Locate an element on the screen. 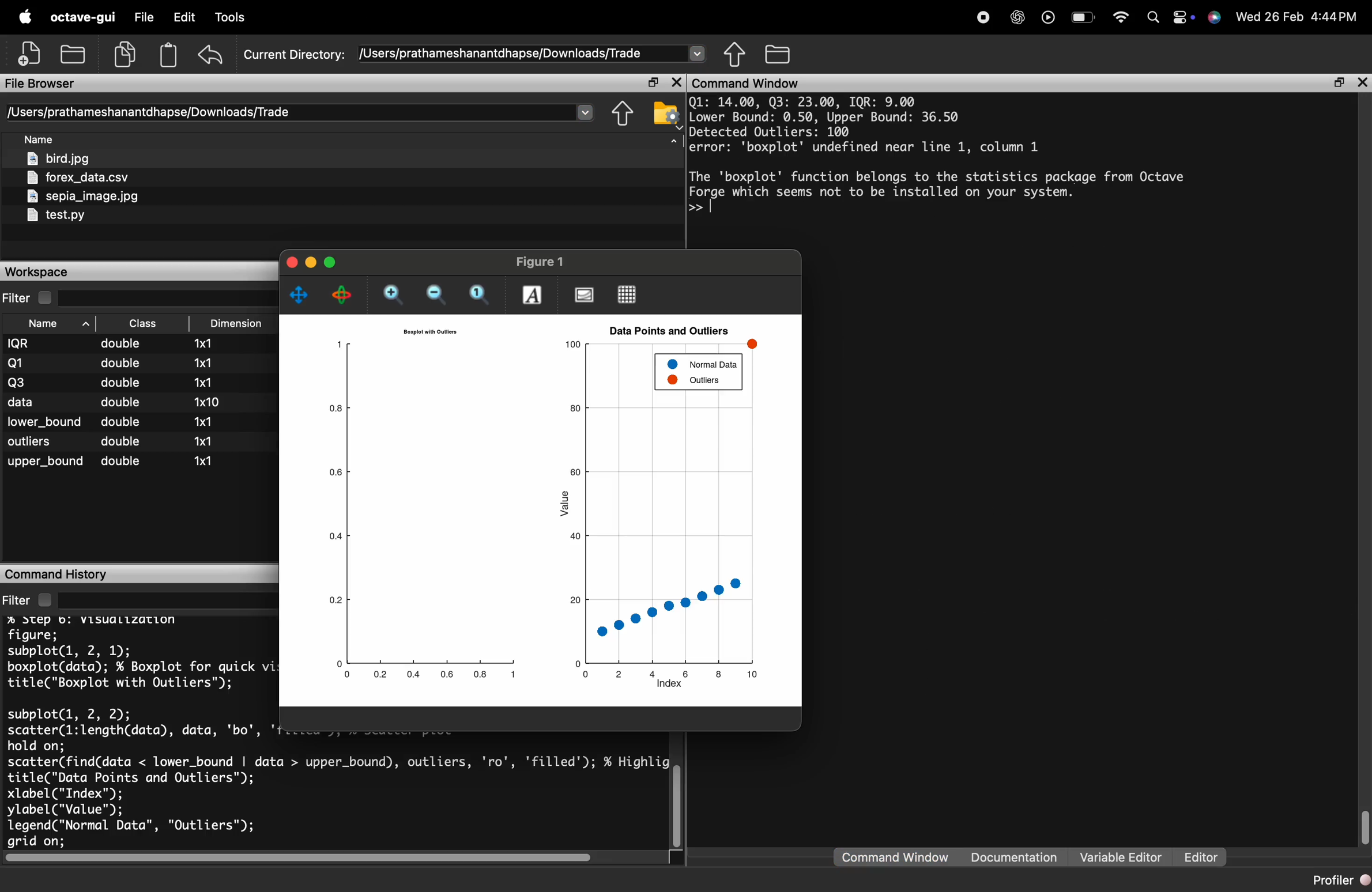 Image resolution: width=1372 pixels, height=892 pixels. test.py is located at coordinates (55, 216).